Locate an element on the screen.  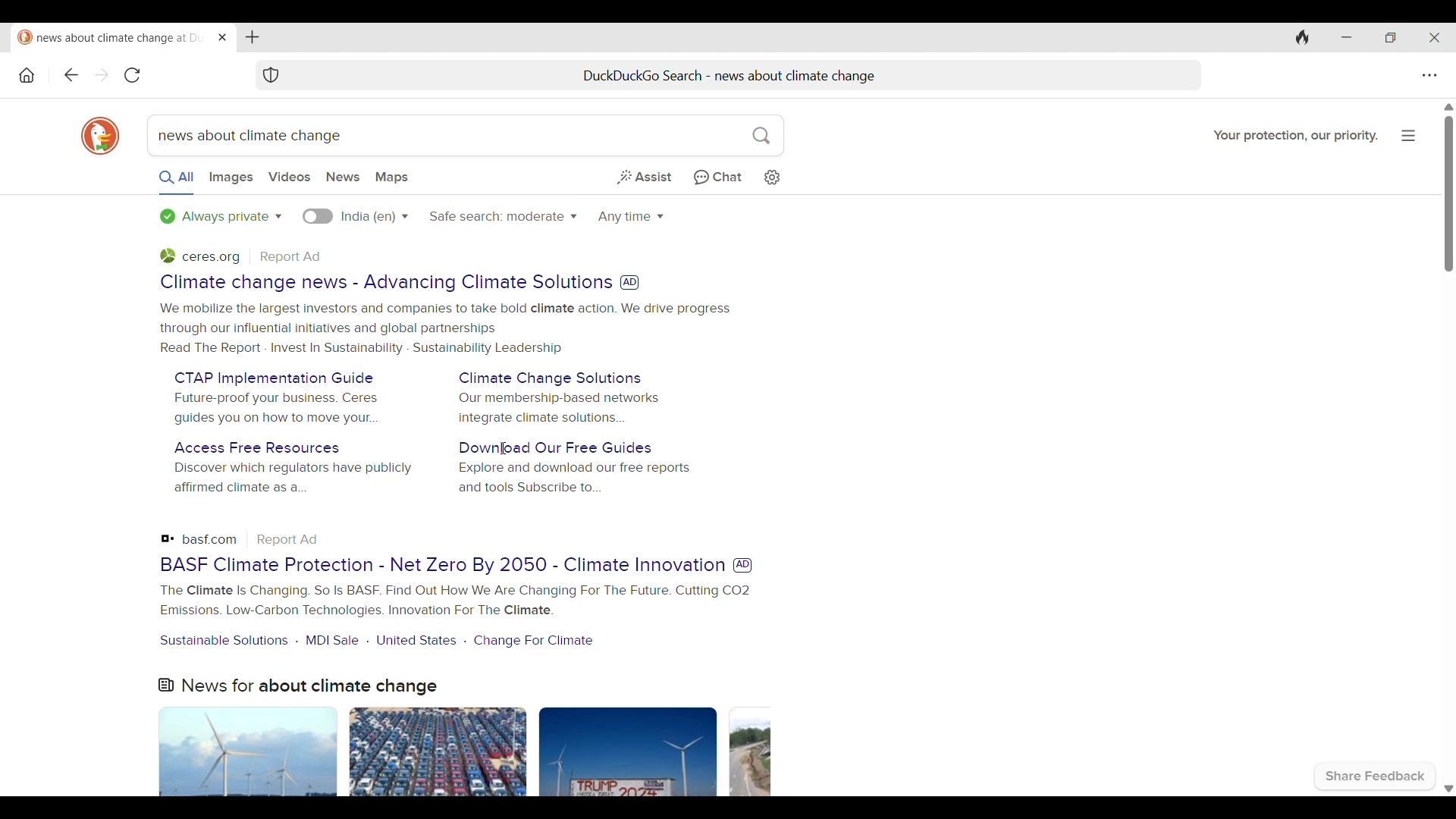
Sustainable solutions  is located at coordinates (224, 641).